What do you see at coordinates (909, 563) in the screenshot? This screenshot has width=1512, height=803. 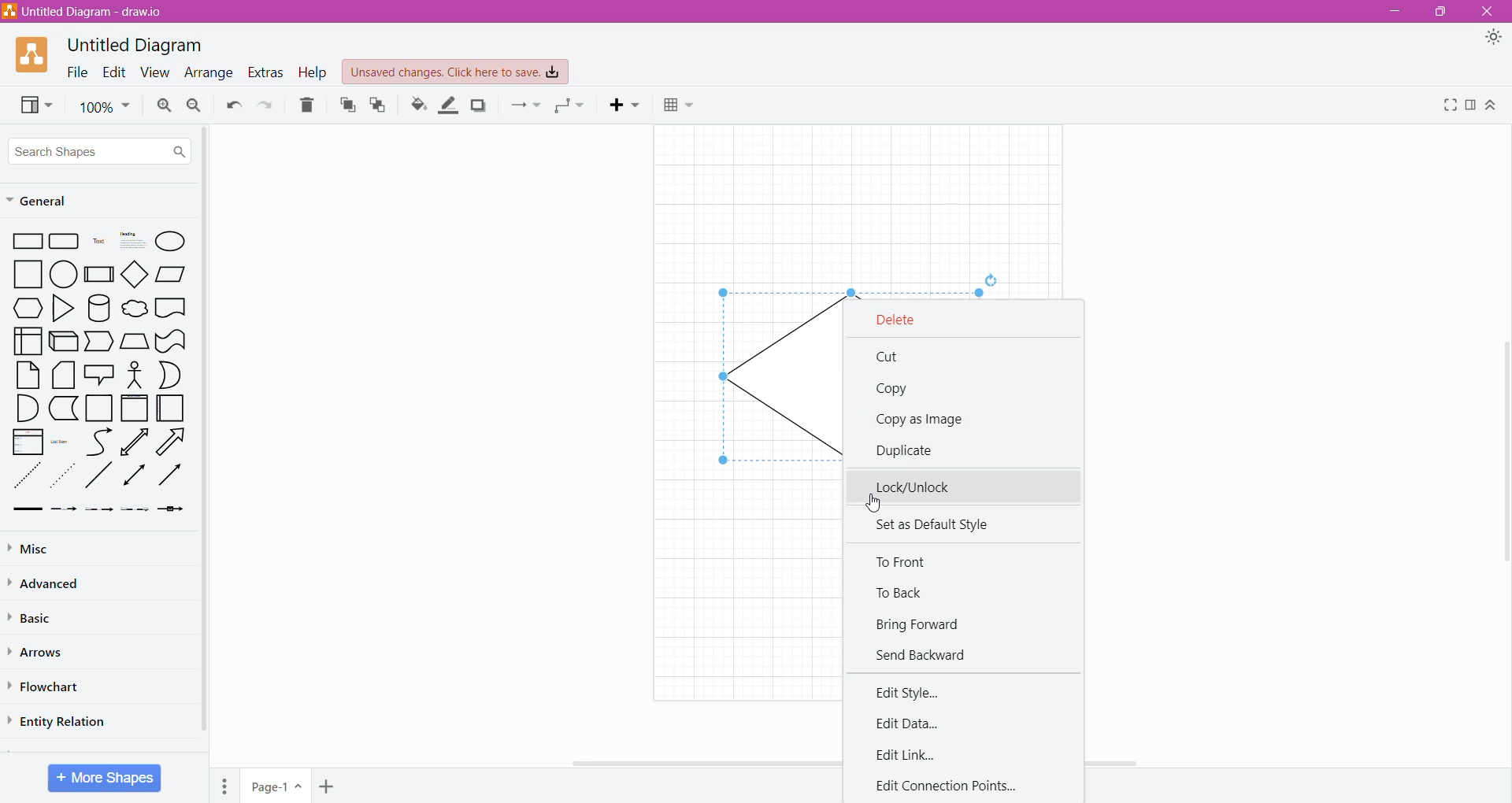 I see `To Front` at bounding box center [909, 563].